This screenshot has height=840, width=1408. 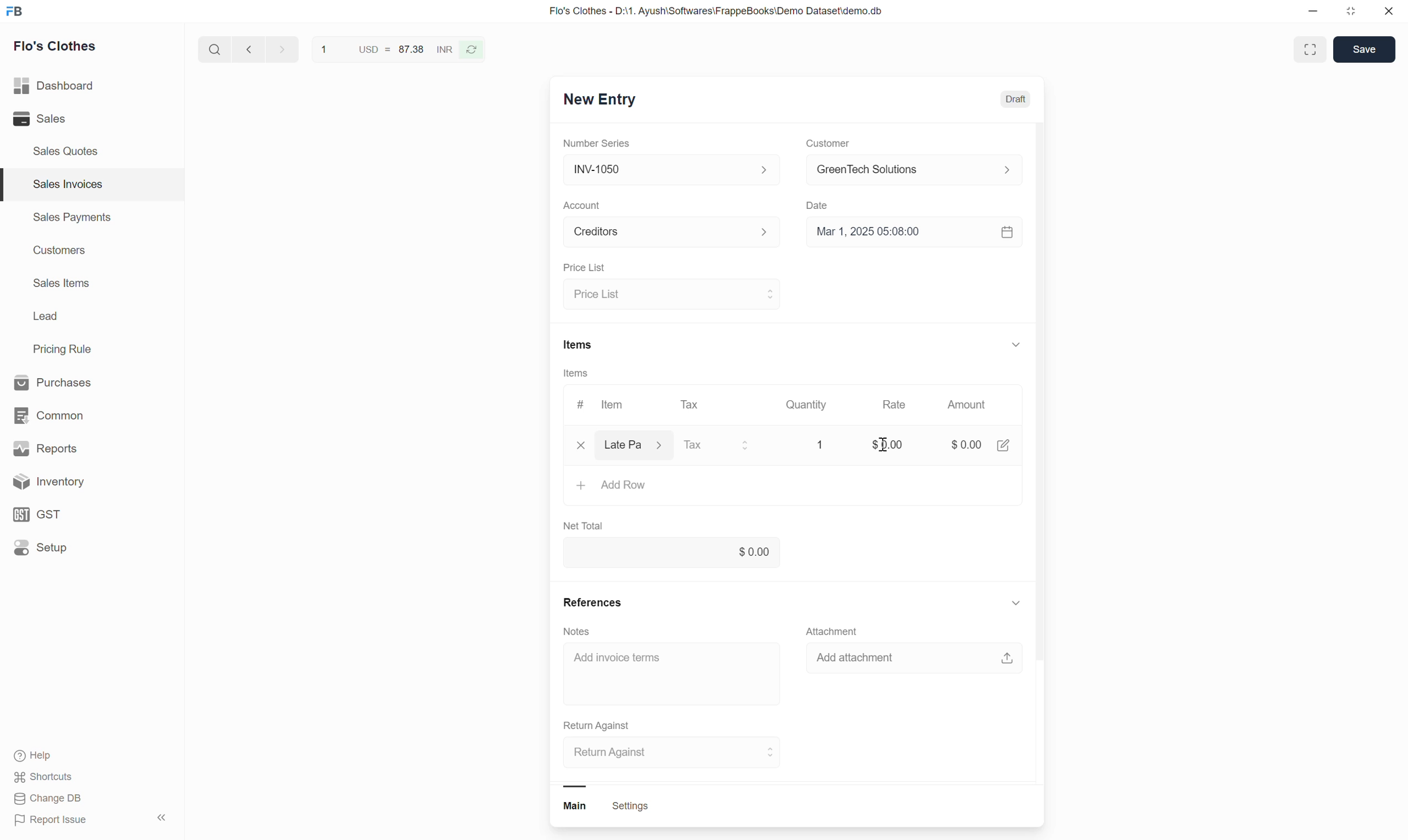 I want to click on Flo's Clothes, so click(x=61, y=48).